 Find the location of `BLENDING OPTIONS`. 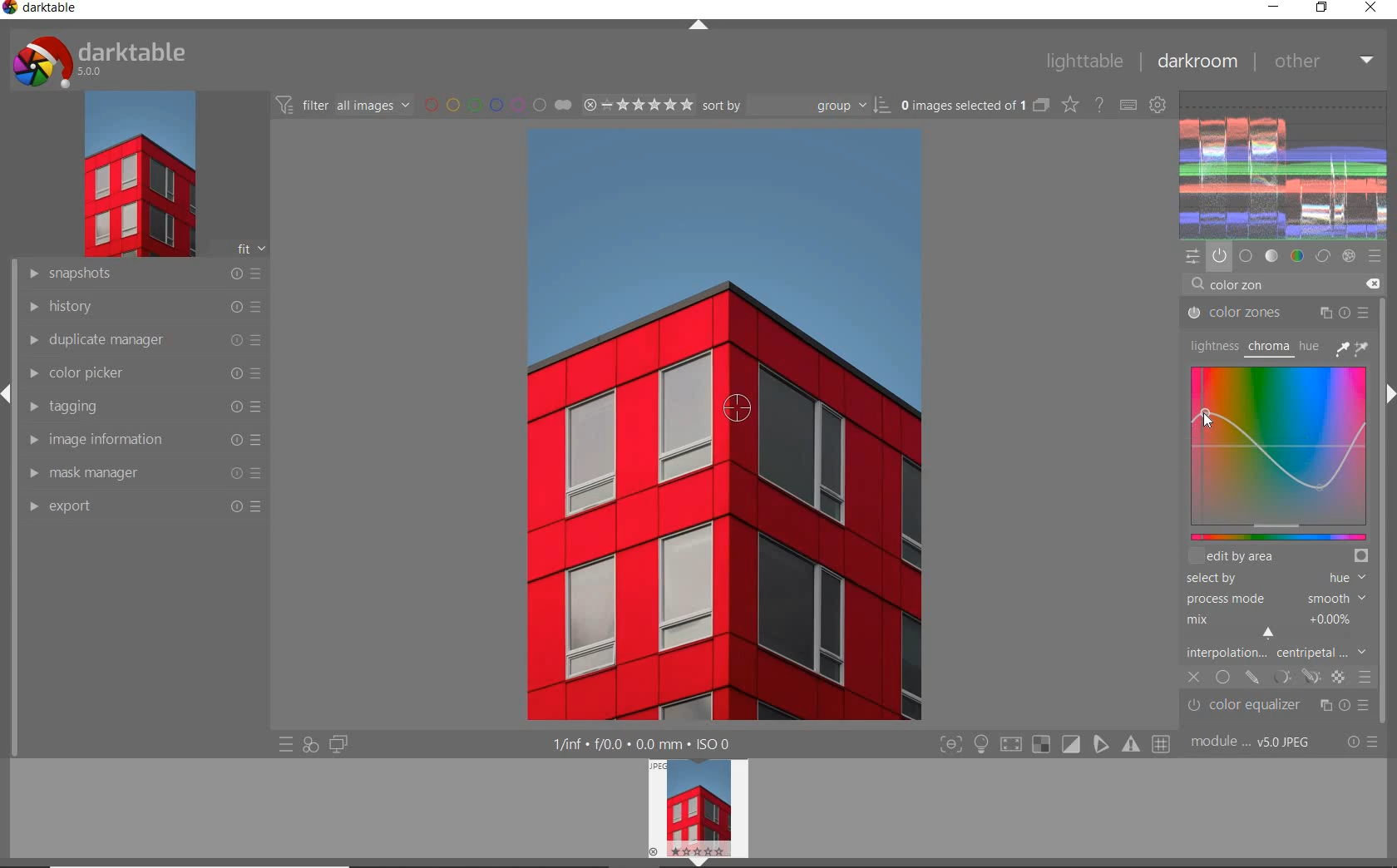

BLENDING OPTIONS is located at coordinates (1365, 676).